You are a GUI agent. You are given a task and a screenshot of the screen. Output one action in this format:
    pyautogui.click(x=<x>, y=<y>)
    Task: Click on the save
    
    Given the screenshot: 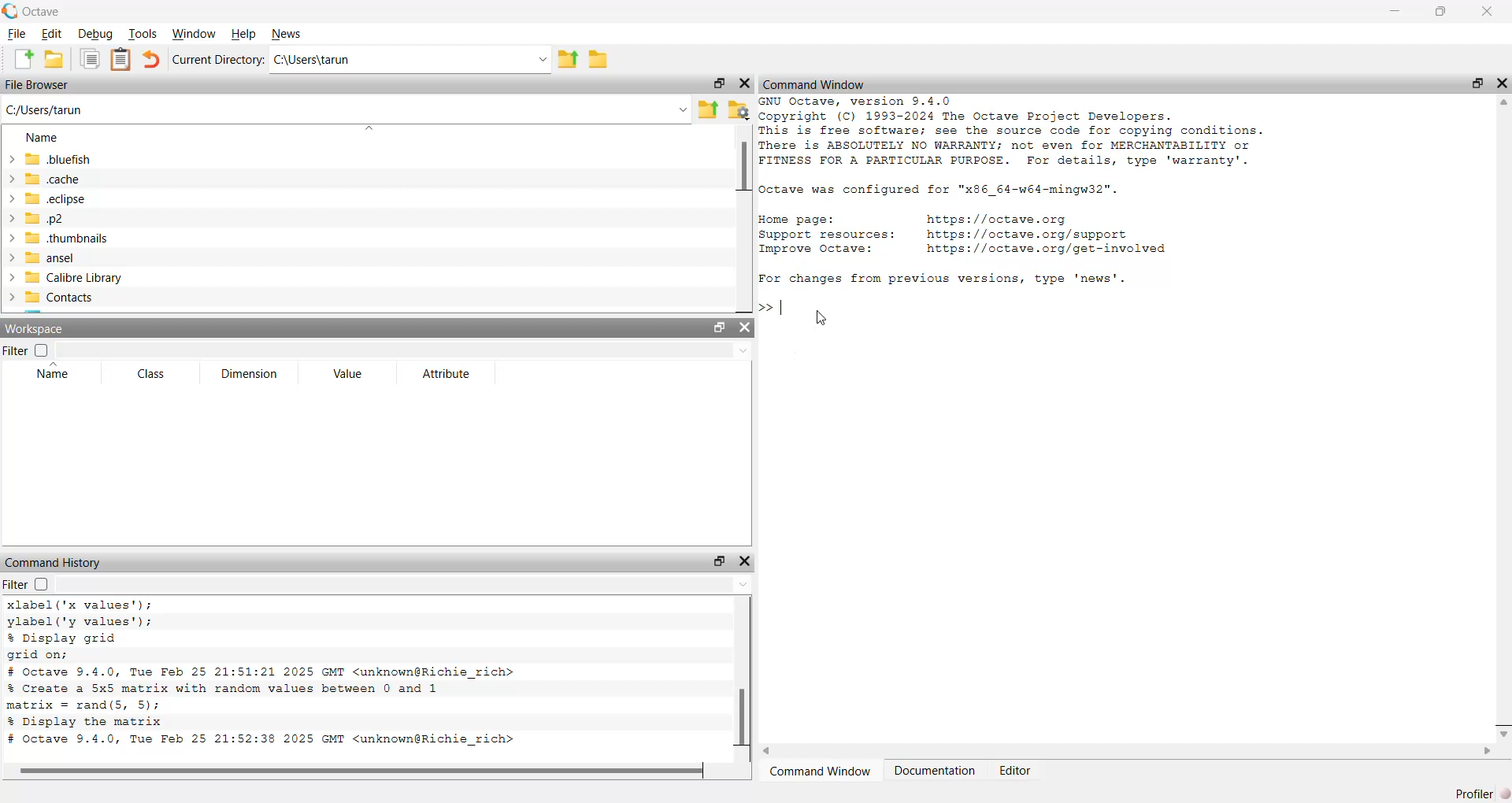 What is the action you would take?
    pyautogui.click(x=54, y=58)
    